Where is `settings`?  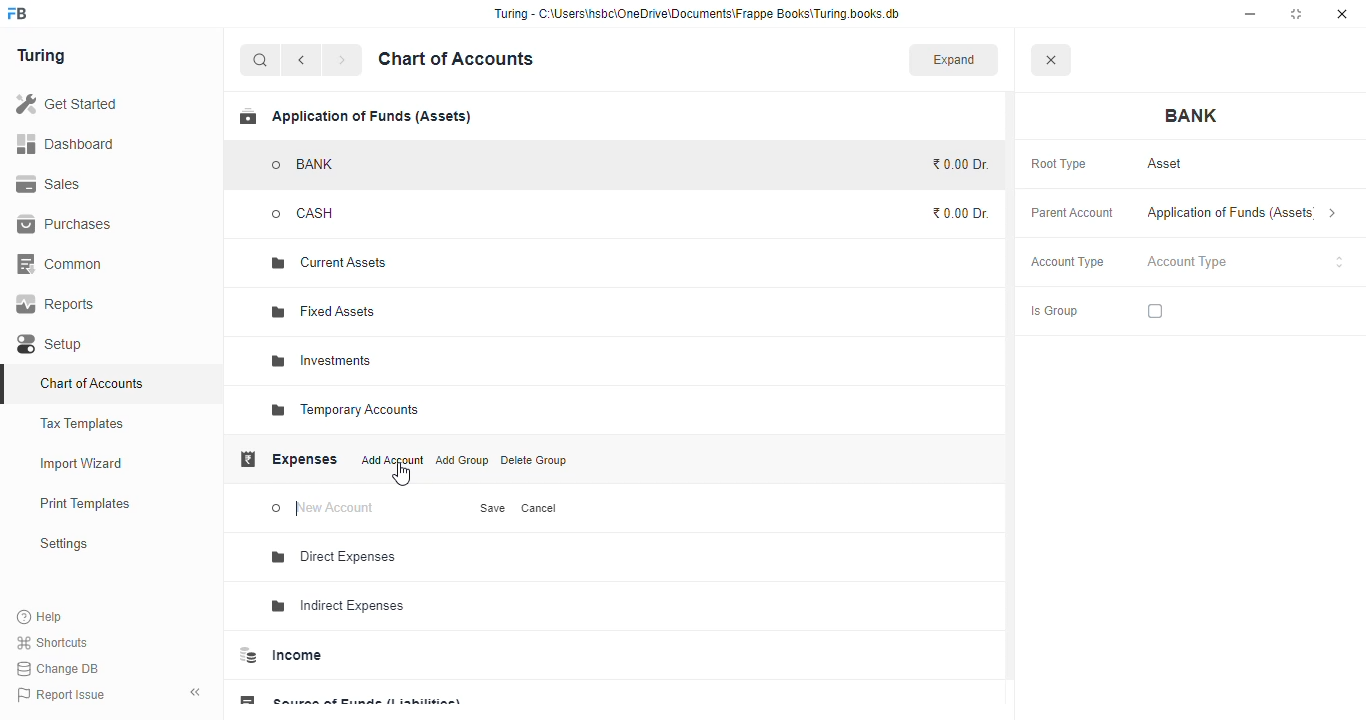 settings is located at coordinates (63, 543).